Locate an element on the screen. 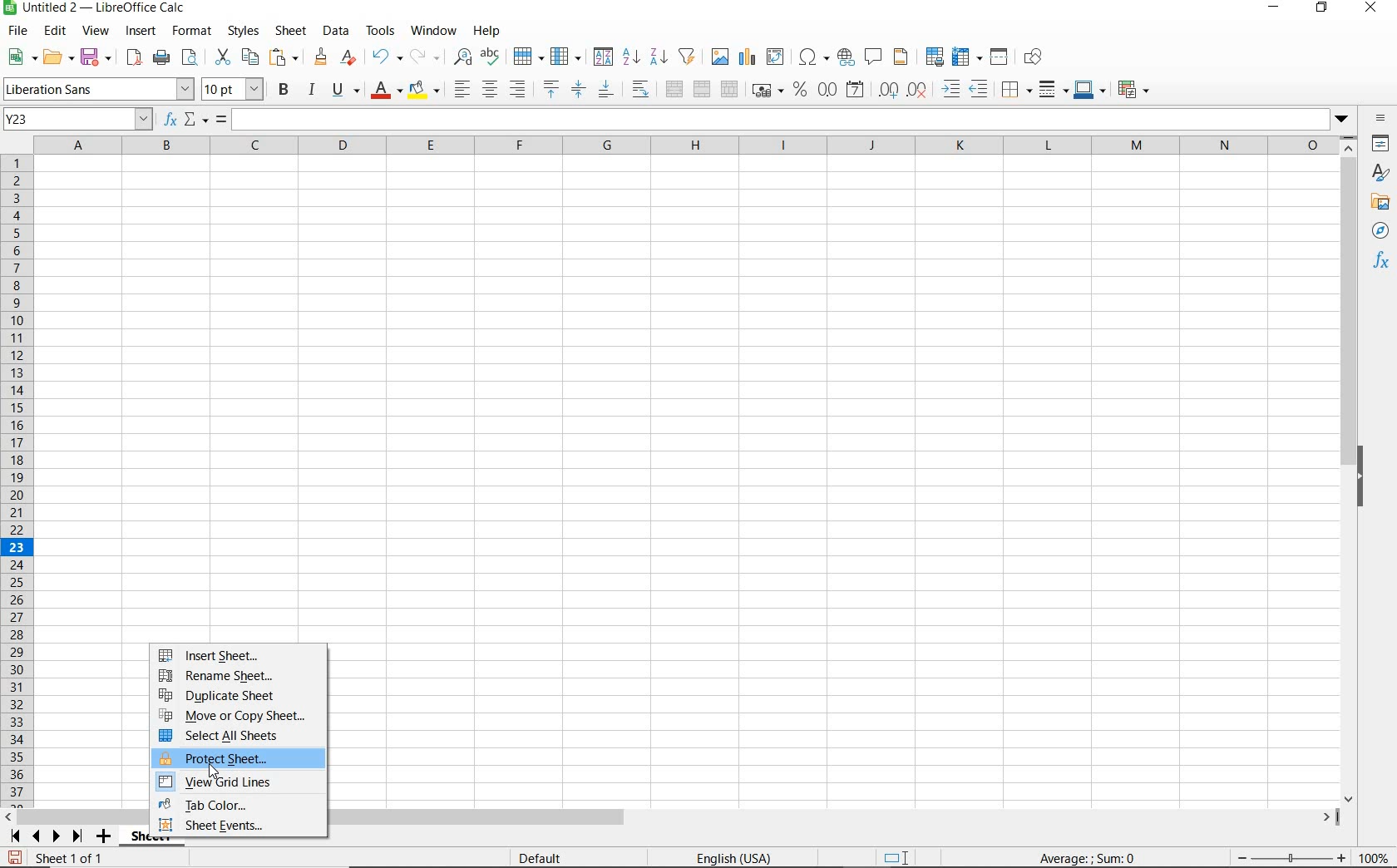 This screenshot has height=868, width=1397. ALIGN RIGHT is located at coordinates (517, 90).